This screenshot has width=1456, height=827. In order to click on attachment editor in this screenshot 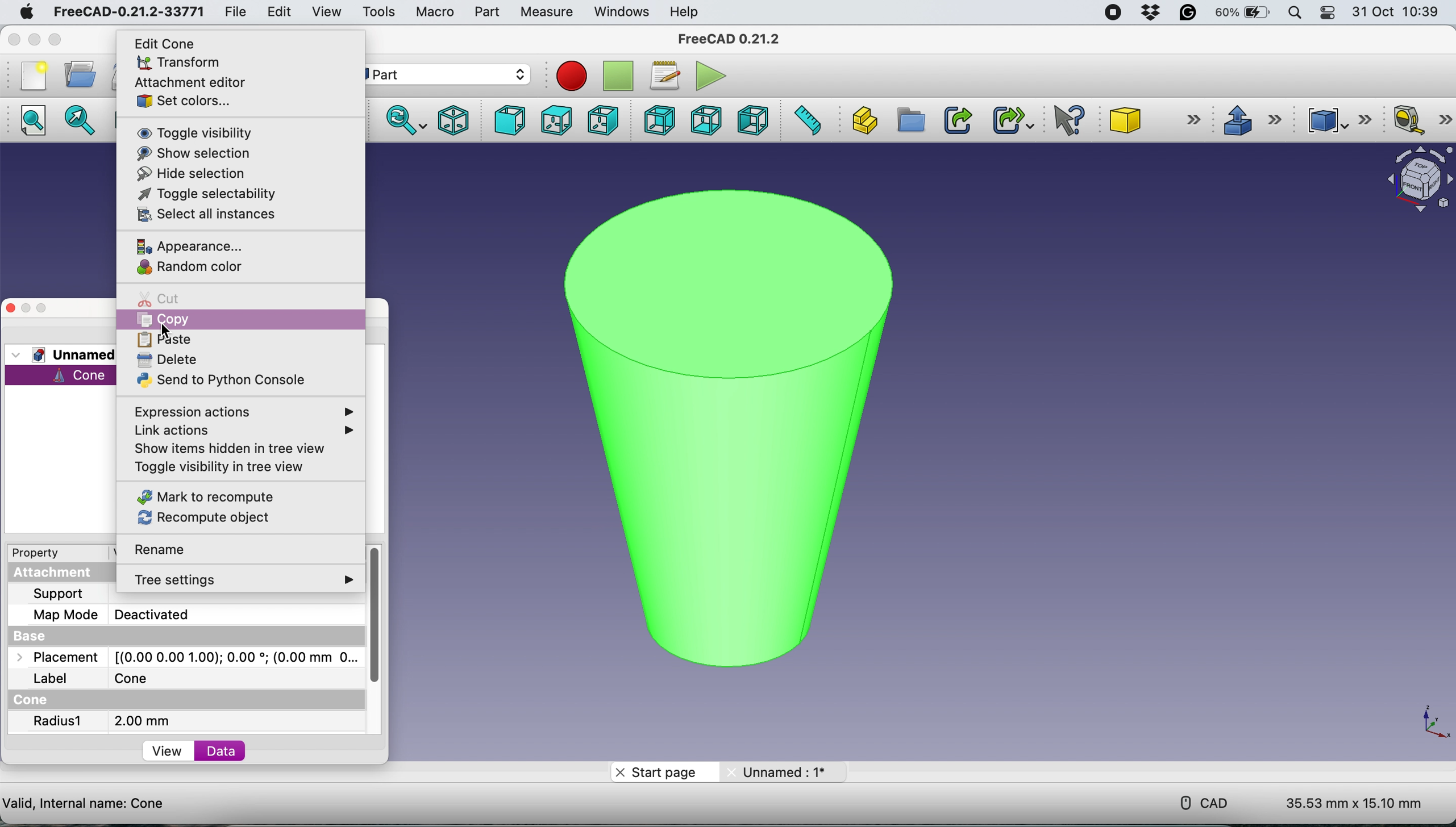, I will do `click(193, 82)`.